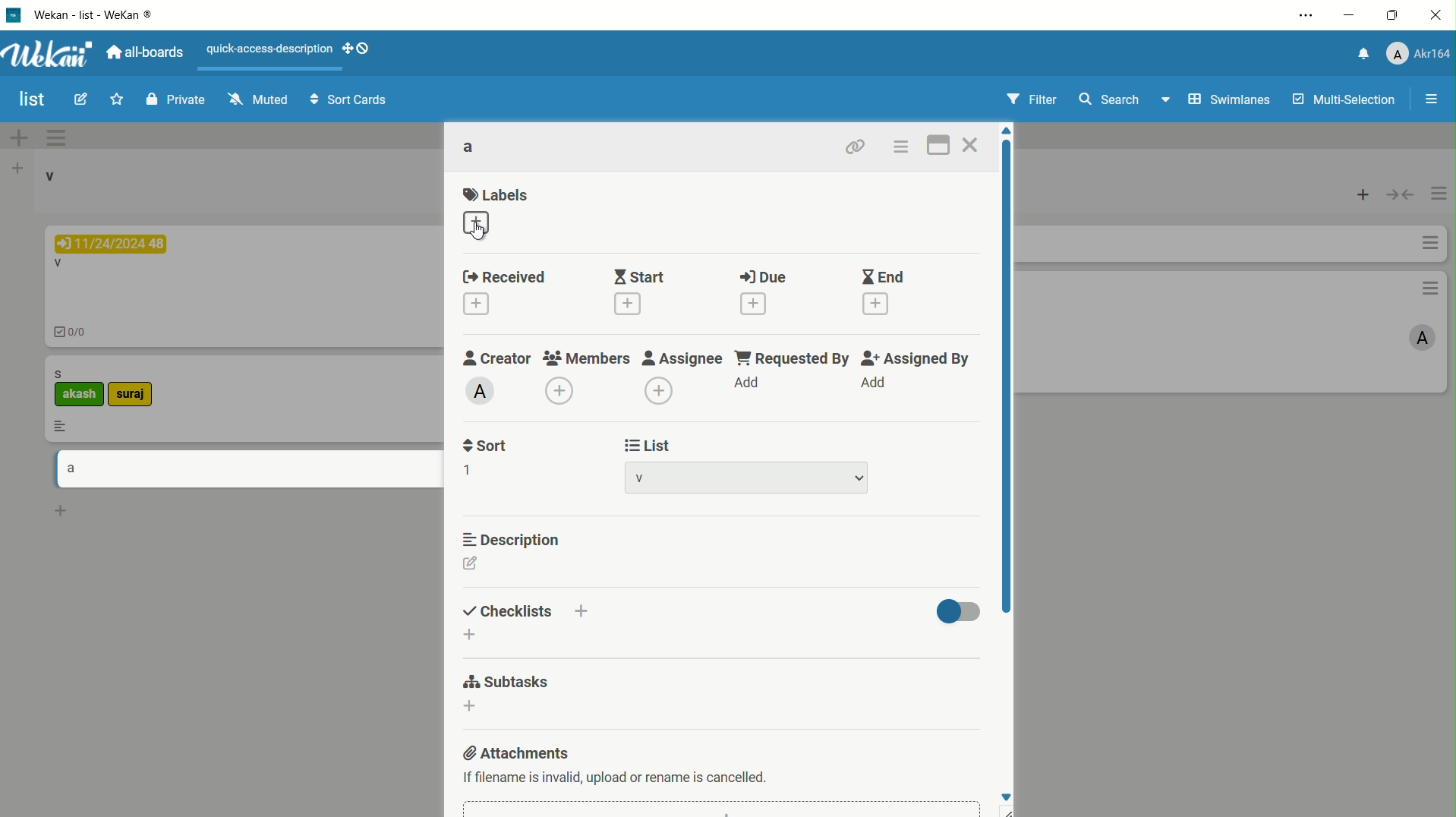 The height and width of the screenshot is (817, 1456). Describe the element at coordinates (507, 279) in the screenshot. I see `received` at that location.